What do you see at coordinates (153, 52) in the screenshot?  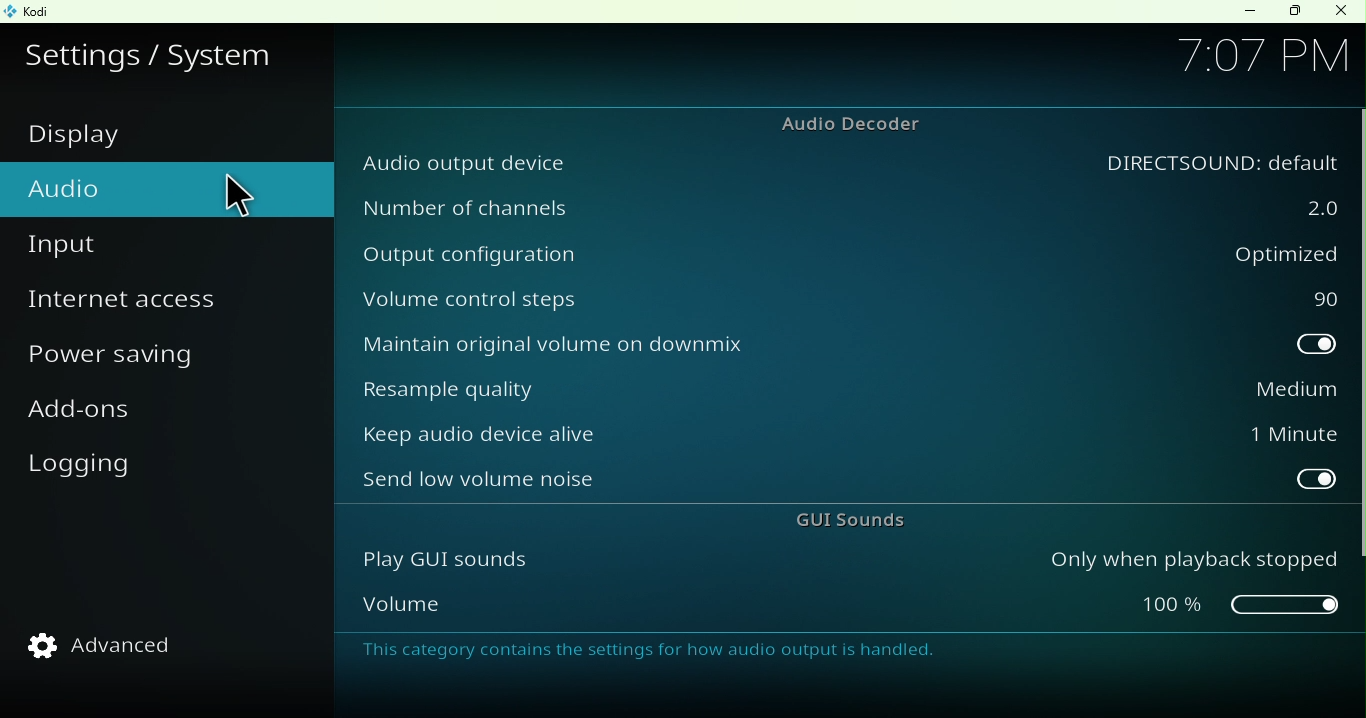 I see `Settings/system` at bounding box center [153, 52].